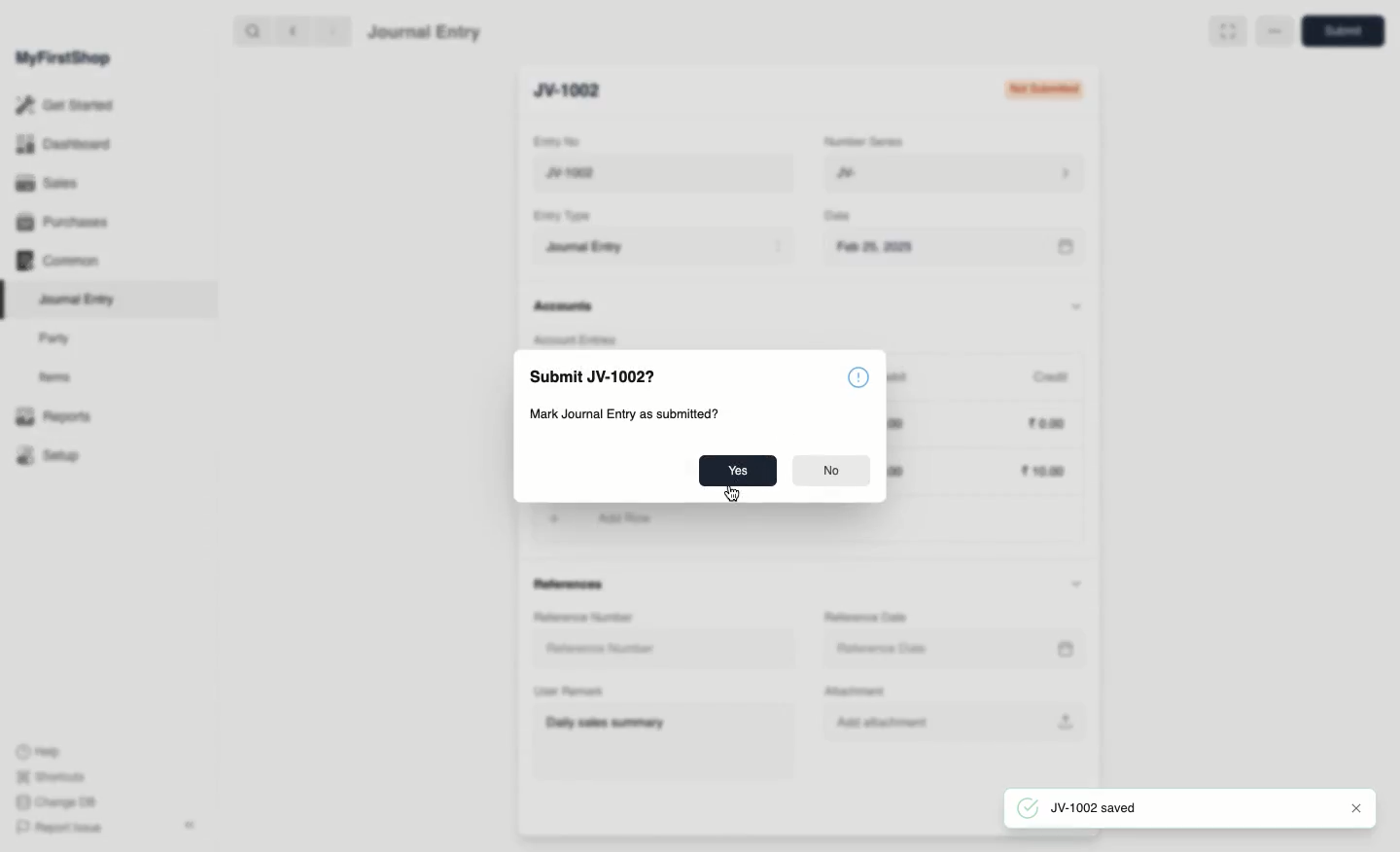  What do you see at coordinates (738, 470) in the screenshot?
I see `Yes` at bounding box center [738, 470].